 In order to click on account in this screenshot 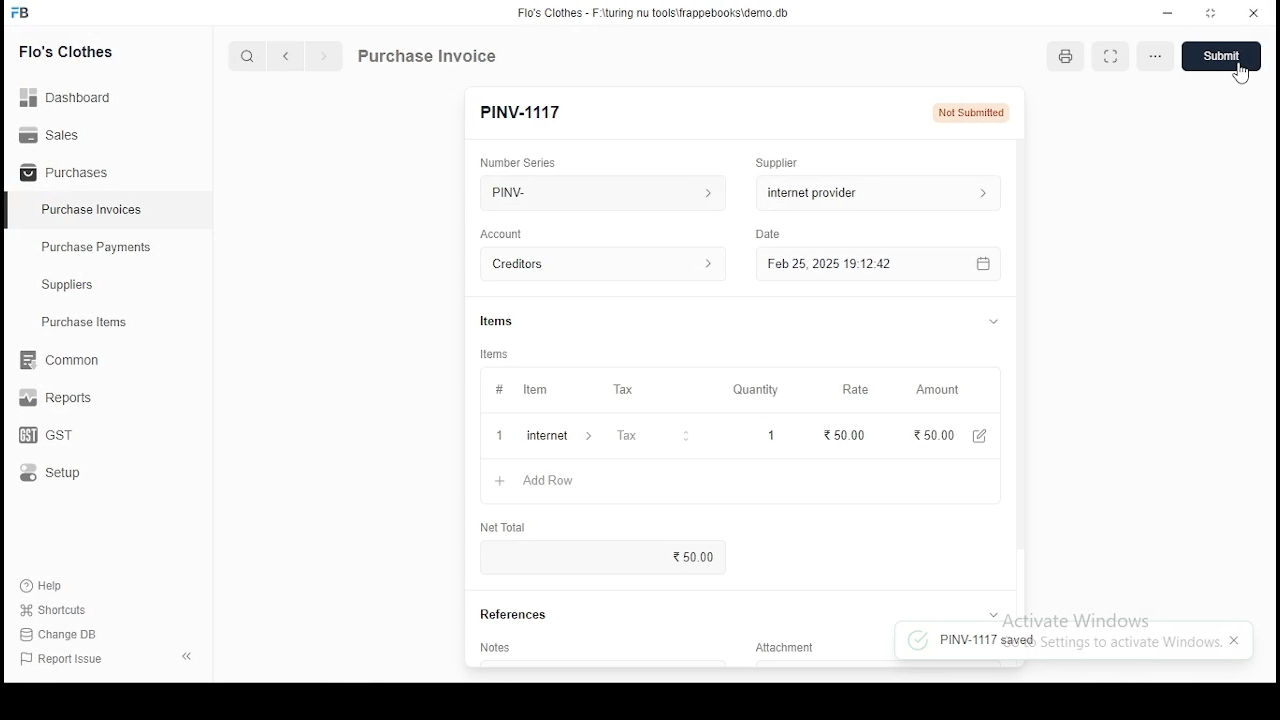, I will do `click(604, 265)`.